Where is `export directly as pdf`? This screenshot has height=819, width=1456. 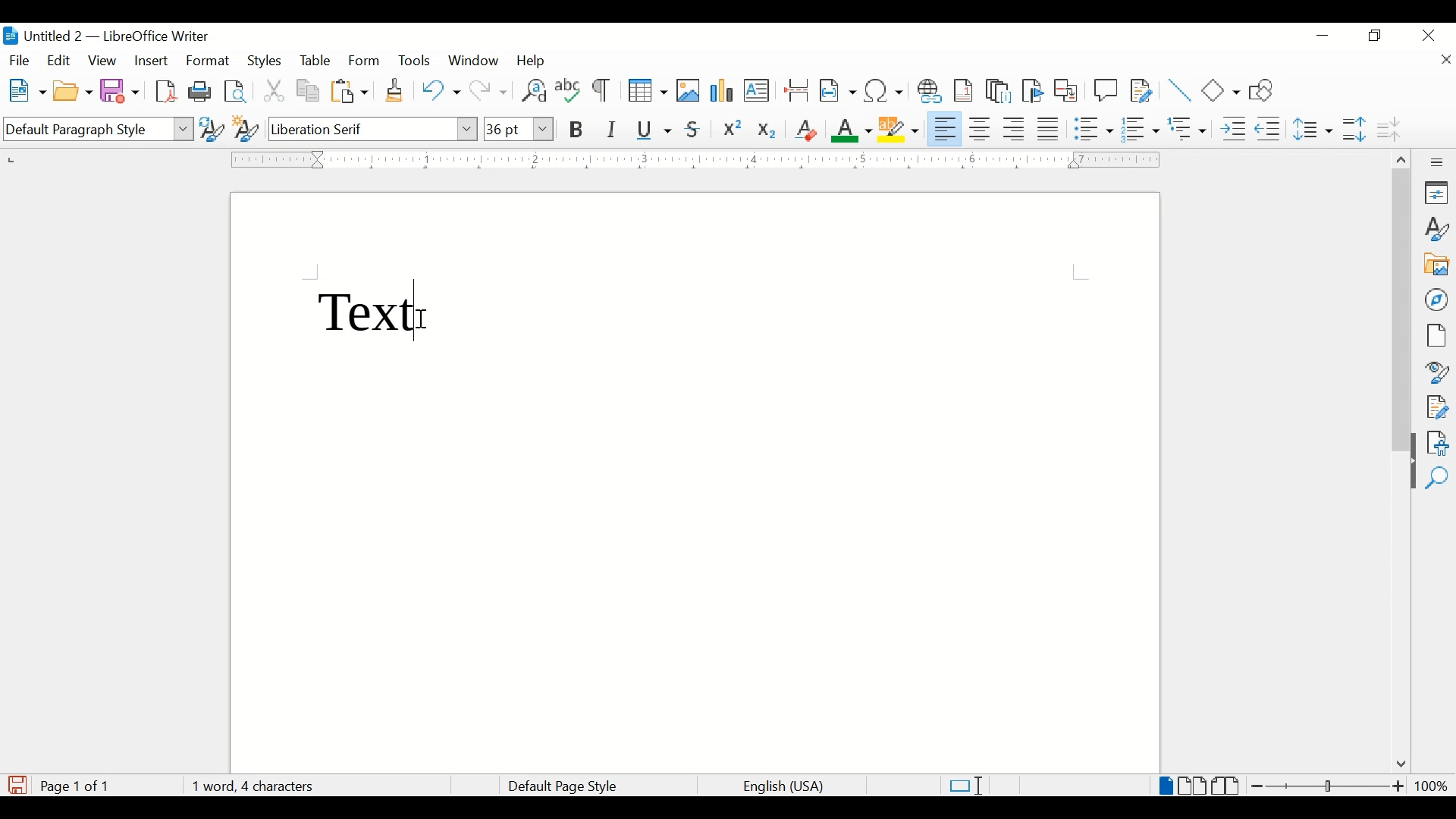
export directly as pdf is located at coordinates (168, 92).